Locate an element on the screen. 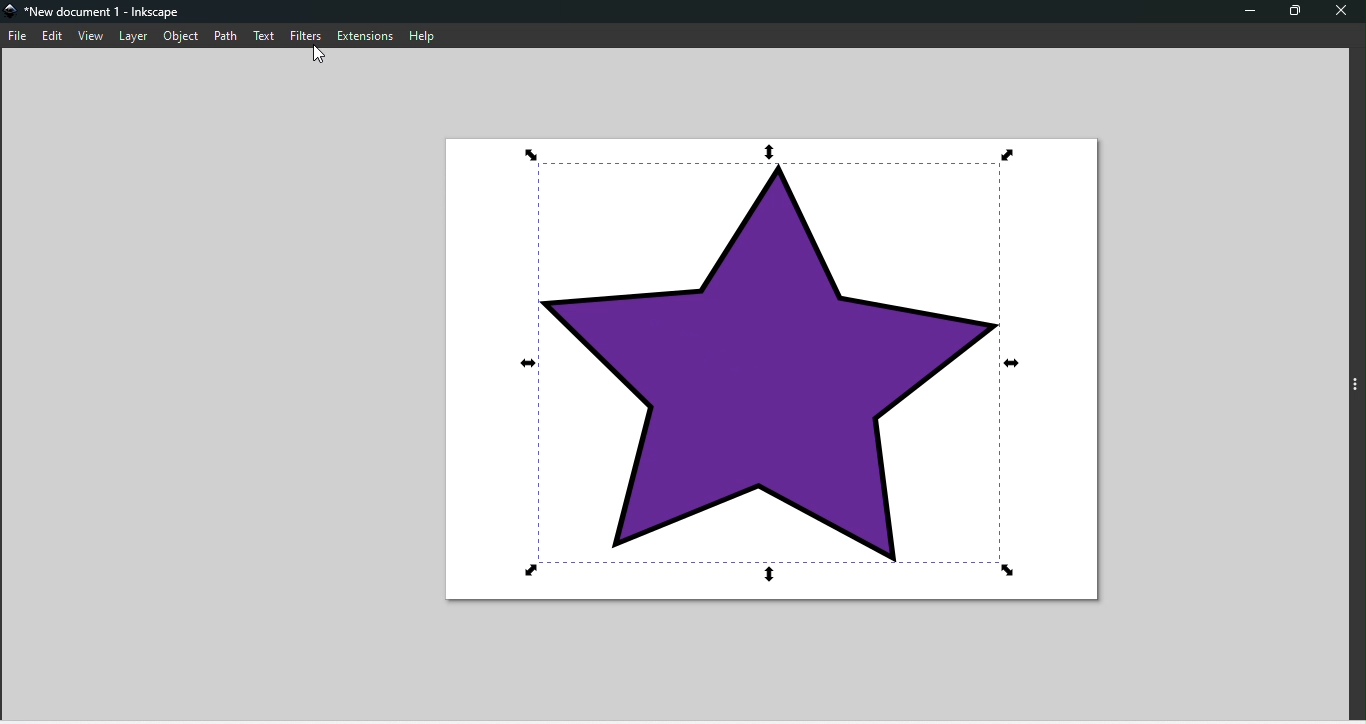 The width and height of the screenshot is (1366, 724). sideBar toggle is located at coordinates (1355, 386).